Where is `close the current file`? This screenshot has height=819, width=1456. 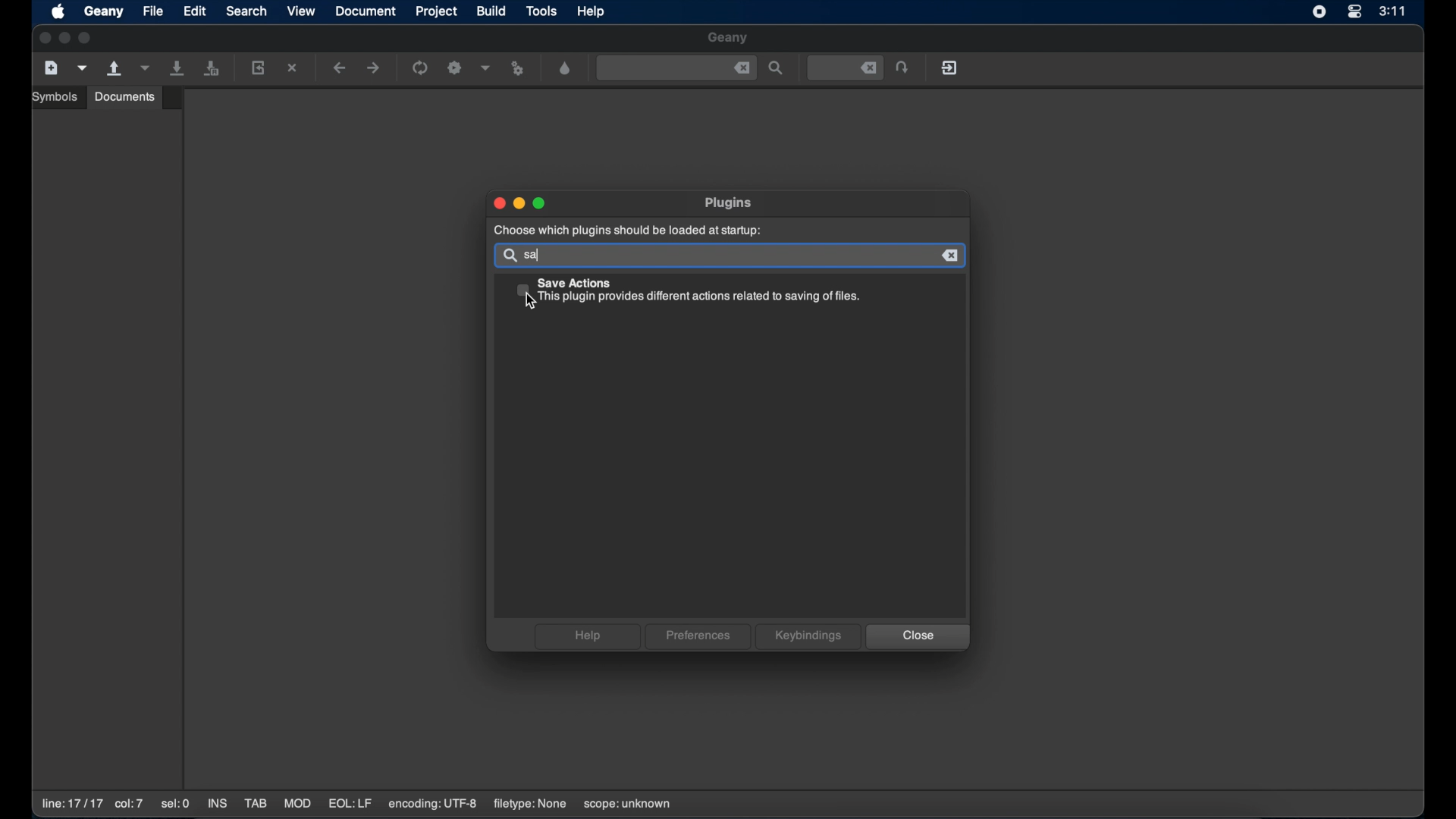 close the current file is located at coordinates (293, 69).